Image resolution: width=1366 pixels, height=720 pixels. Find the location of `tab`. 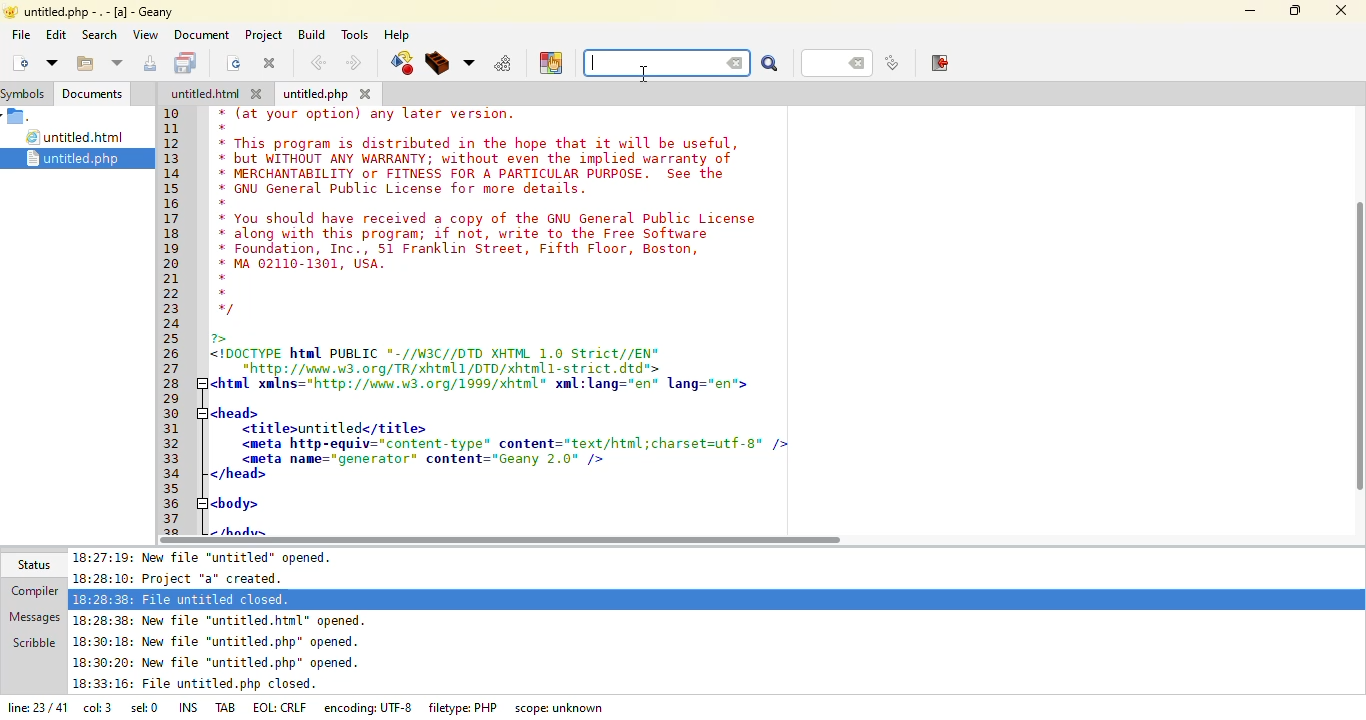

tab is located at coordinates (227, 706).